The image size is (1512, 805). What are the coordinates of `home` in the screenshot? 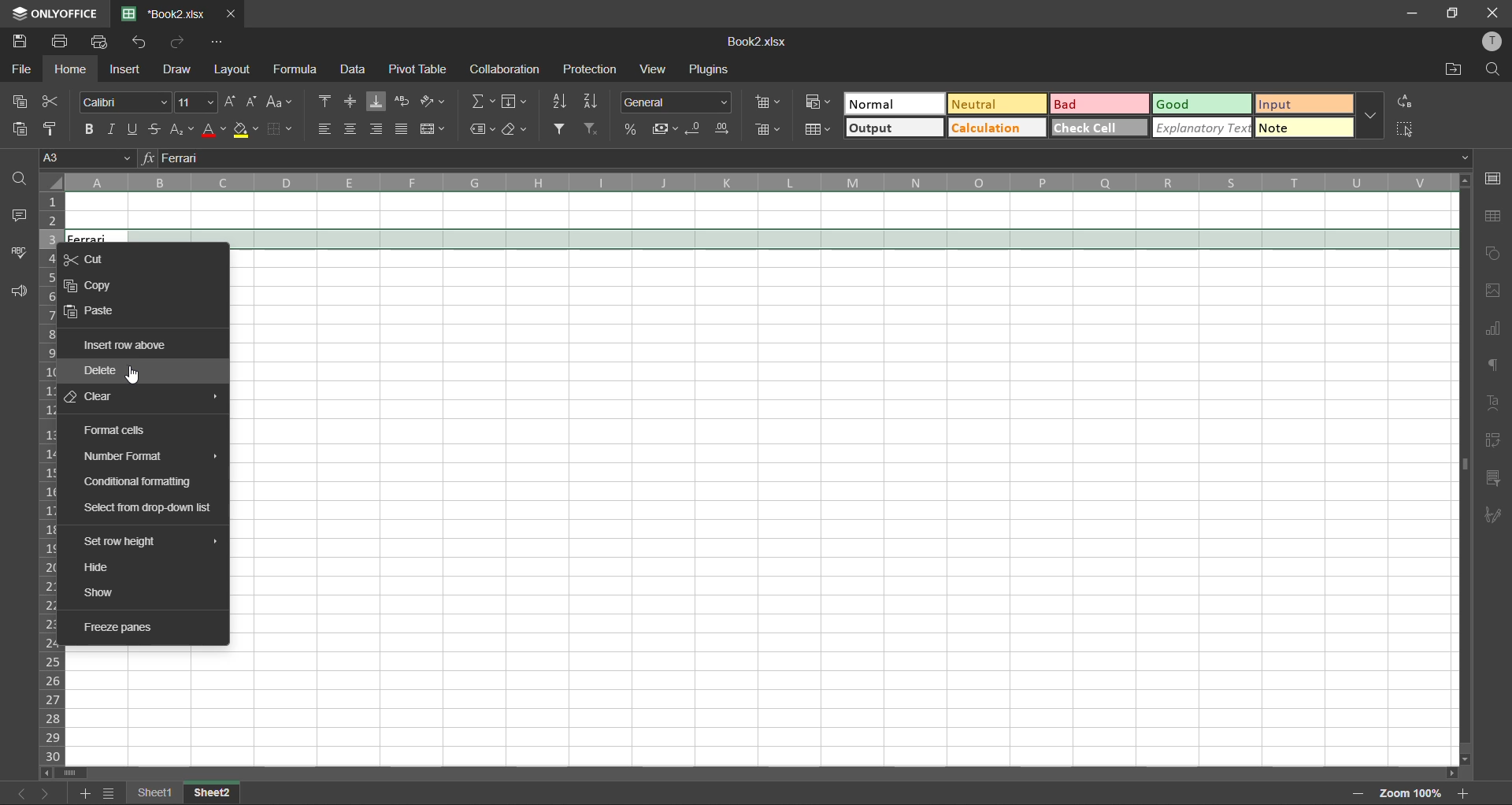 It's located at (72, 69).